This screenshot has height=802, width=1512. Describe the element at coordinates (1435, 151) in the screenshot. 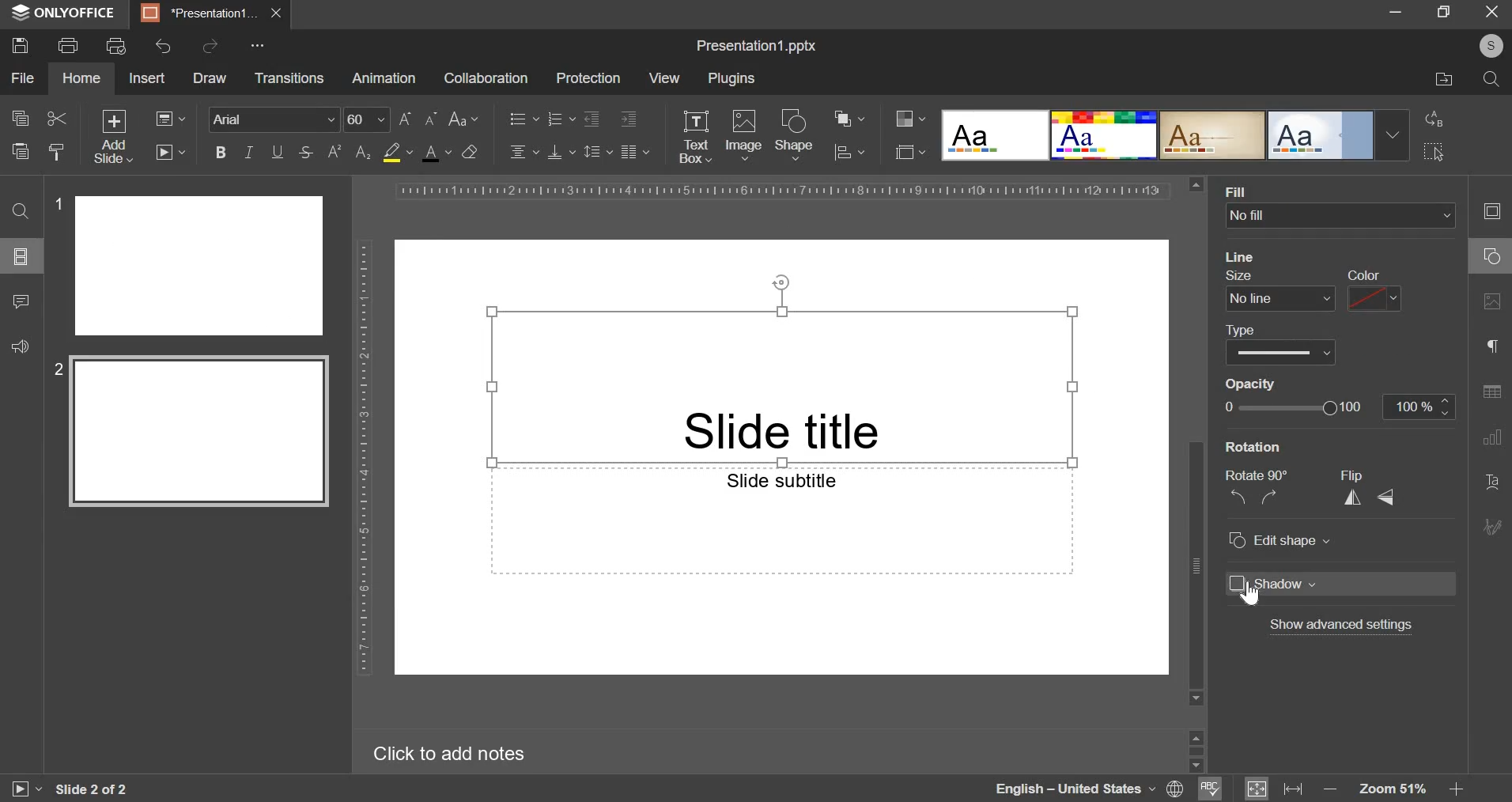

I see `select` at that location.